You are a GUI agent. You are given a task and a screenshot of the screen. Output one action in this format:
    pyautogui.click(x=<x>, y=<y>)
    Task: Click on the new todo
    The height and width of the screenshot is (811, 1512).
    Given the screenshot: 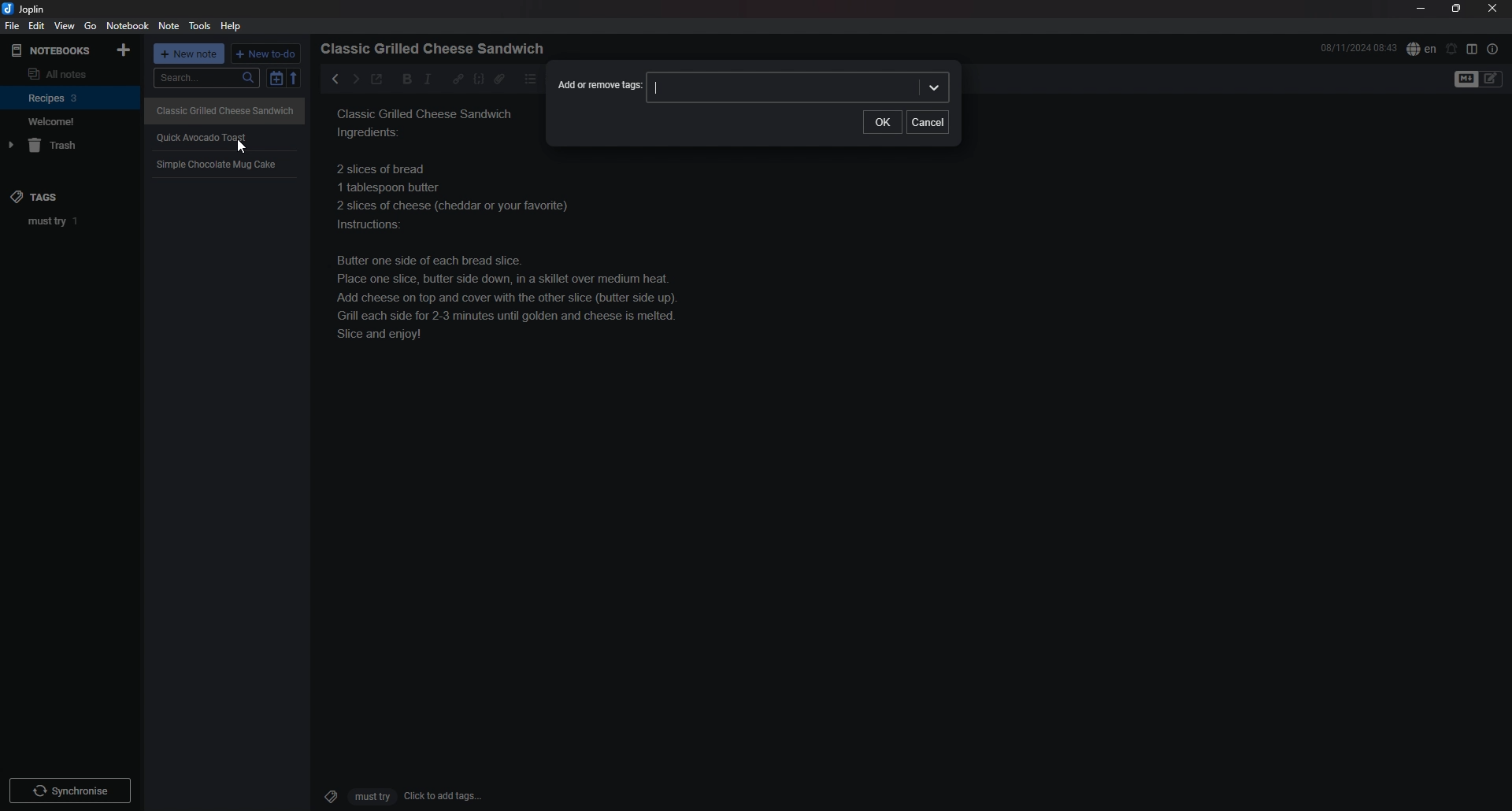 What is the action you would take?
    pyautogui.click(x=267, y=54)
    